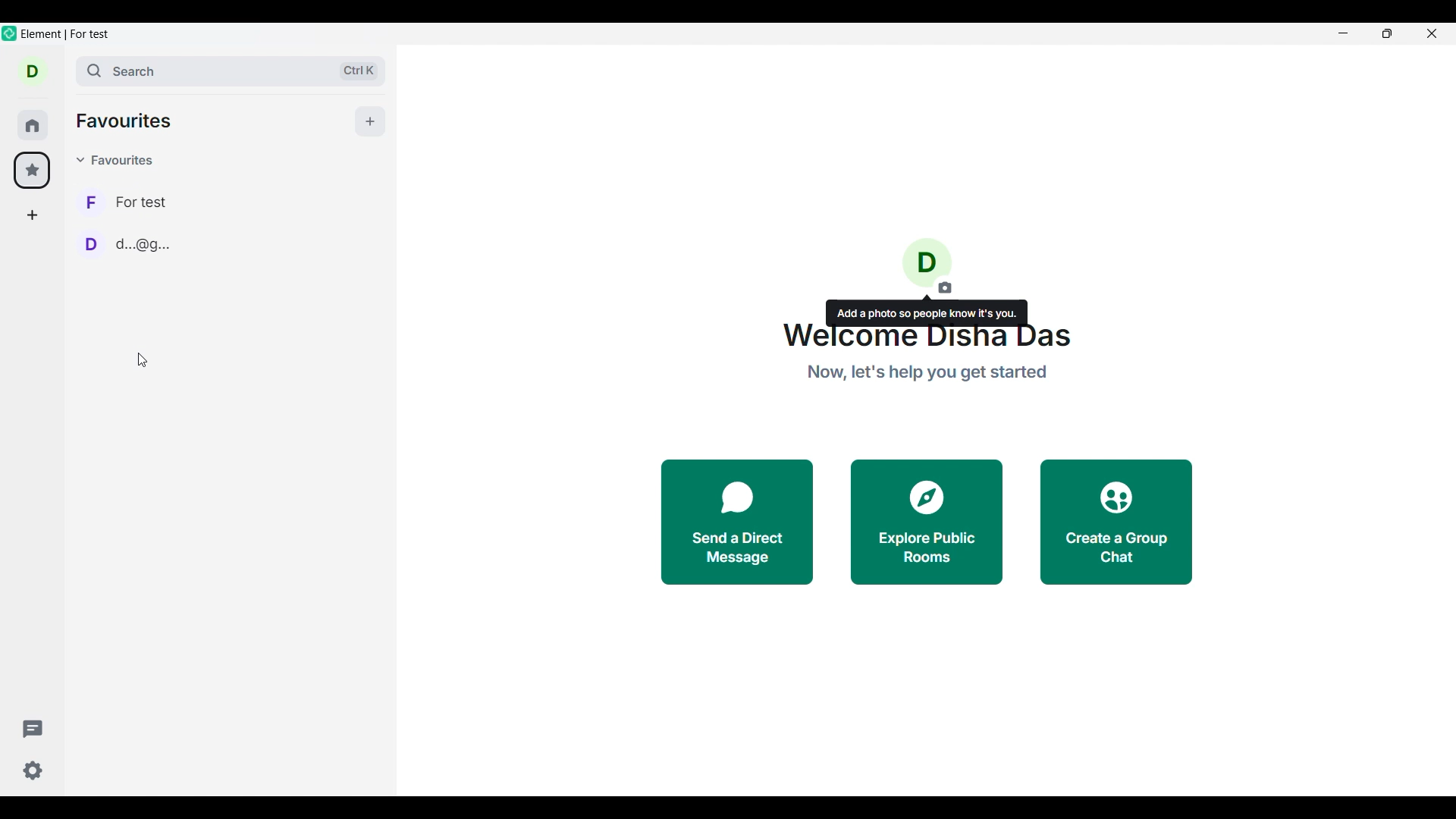 The image size is (1456, 819). Describe the element at coordinates (33, 170) in the screenshot. I see `Current selection highlighted` at that location.